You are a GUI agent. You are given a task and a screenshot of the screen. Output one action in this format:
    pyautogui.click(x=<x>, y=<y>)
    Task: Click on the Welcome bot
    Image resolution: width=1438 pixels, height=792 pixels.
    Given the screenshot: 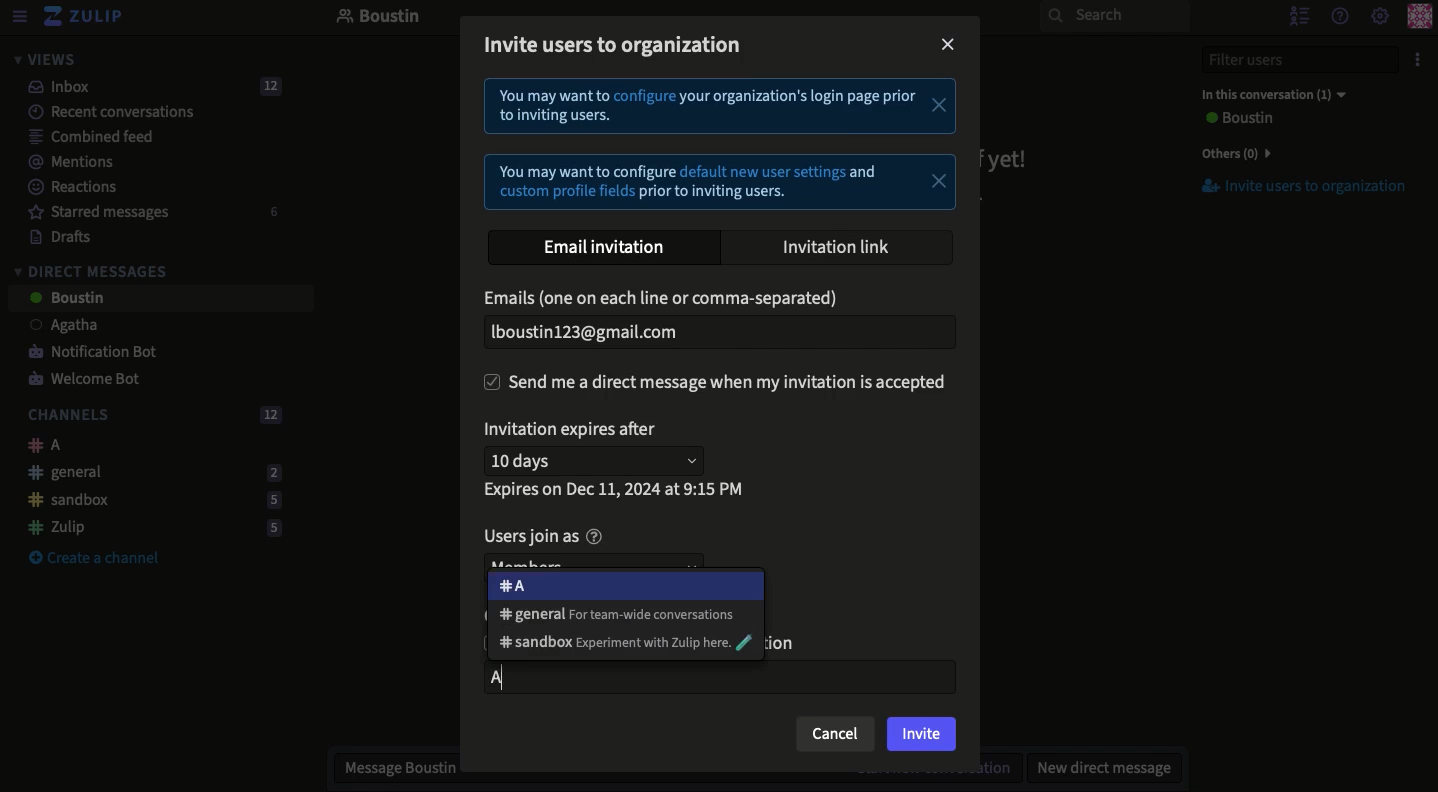 What is the action you would take?
    pyautogui.click(x=87, y=380)
    